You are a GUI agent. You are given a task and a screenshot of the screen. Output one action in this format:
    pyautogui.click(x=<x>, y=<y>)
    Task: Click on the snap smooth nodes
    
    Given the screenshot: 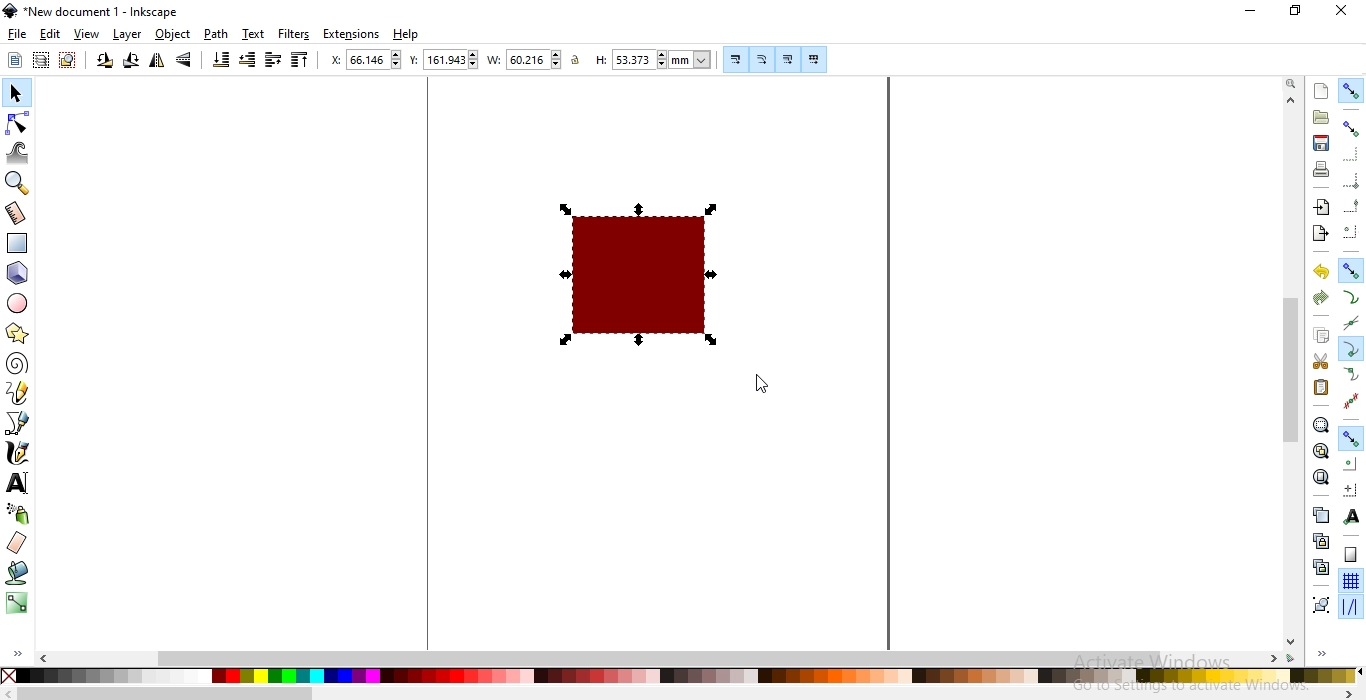 What is the action you would take?
    pyautogui.click(x=1350, y=375)
    